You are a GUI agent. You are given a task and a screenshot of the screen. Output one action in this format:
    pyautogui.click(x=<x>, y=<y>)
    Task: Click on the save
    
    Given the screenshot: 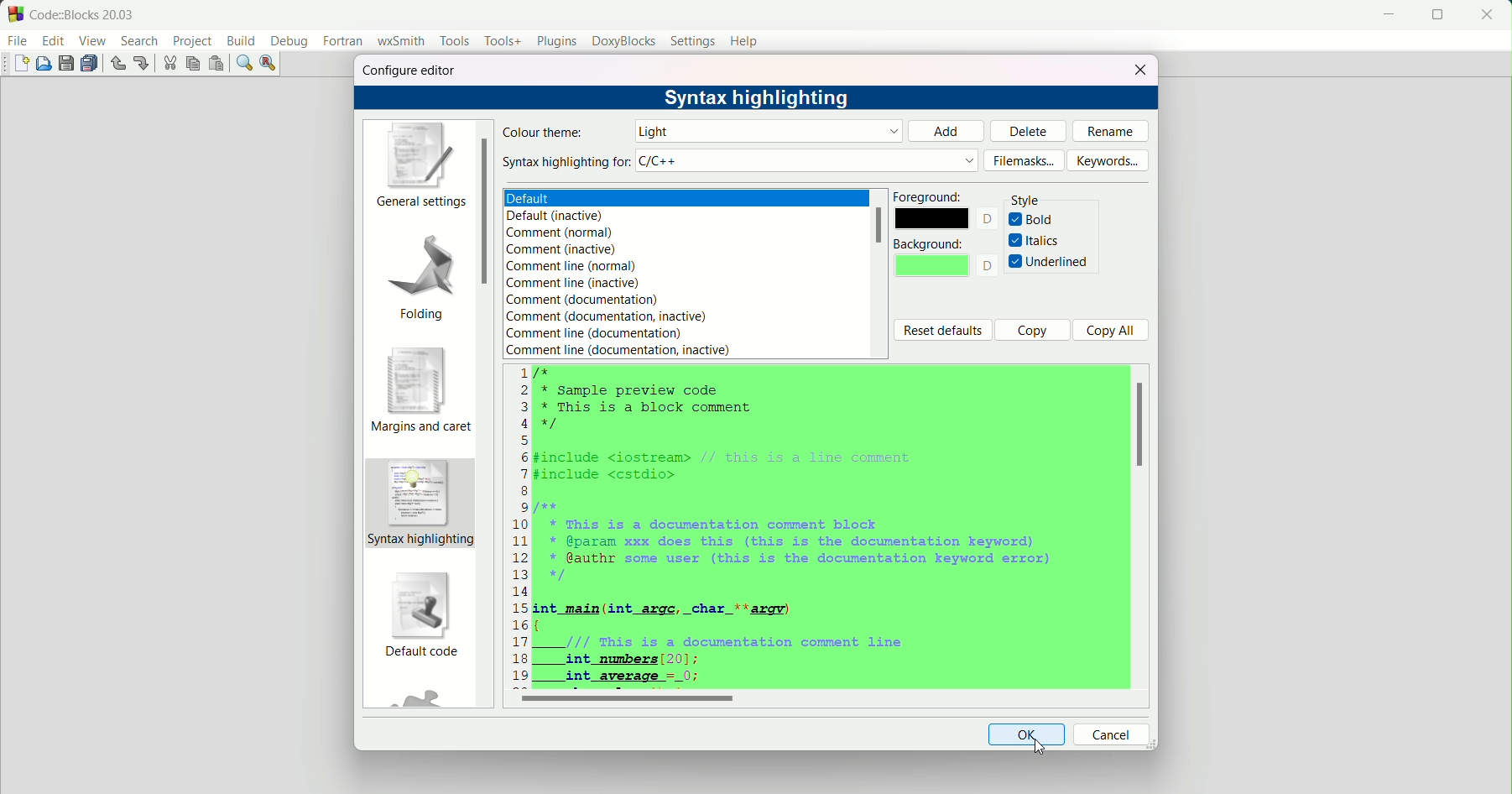 What is the action you would take?
    pyautogui.click(x=66, y=62)
    